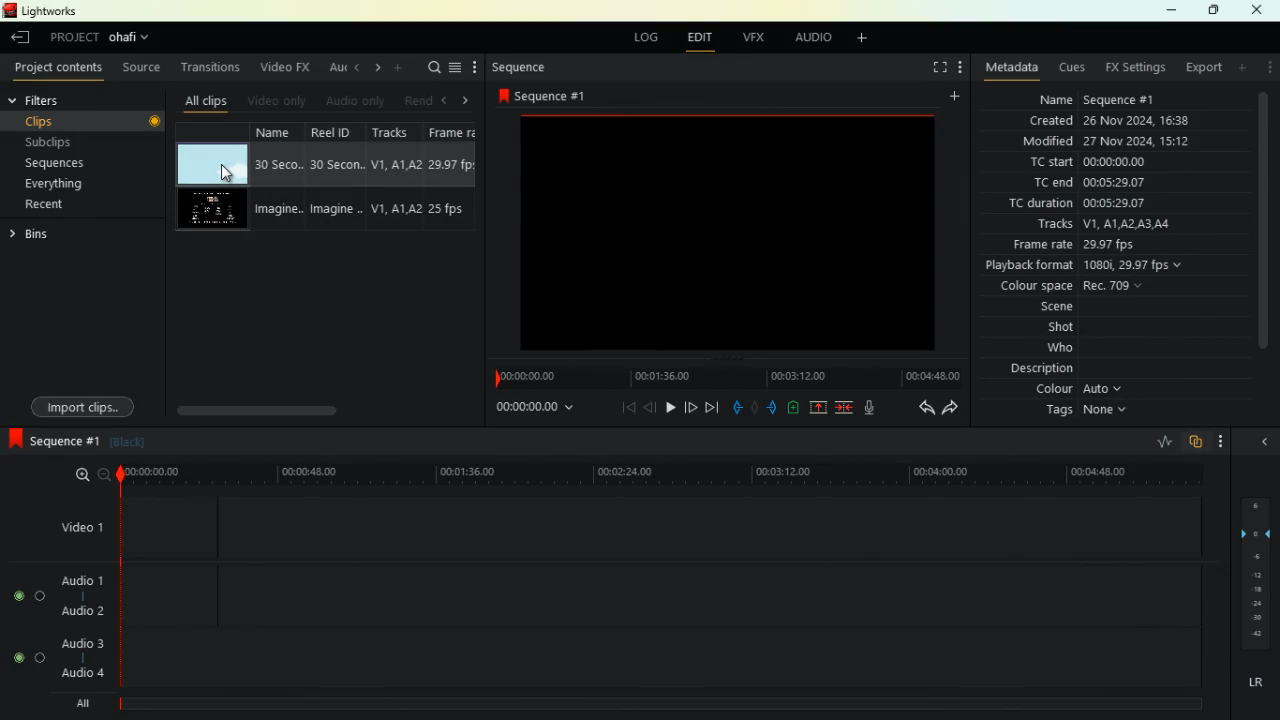  I want to click on left, so click(357, 70).